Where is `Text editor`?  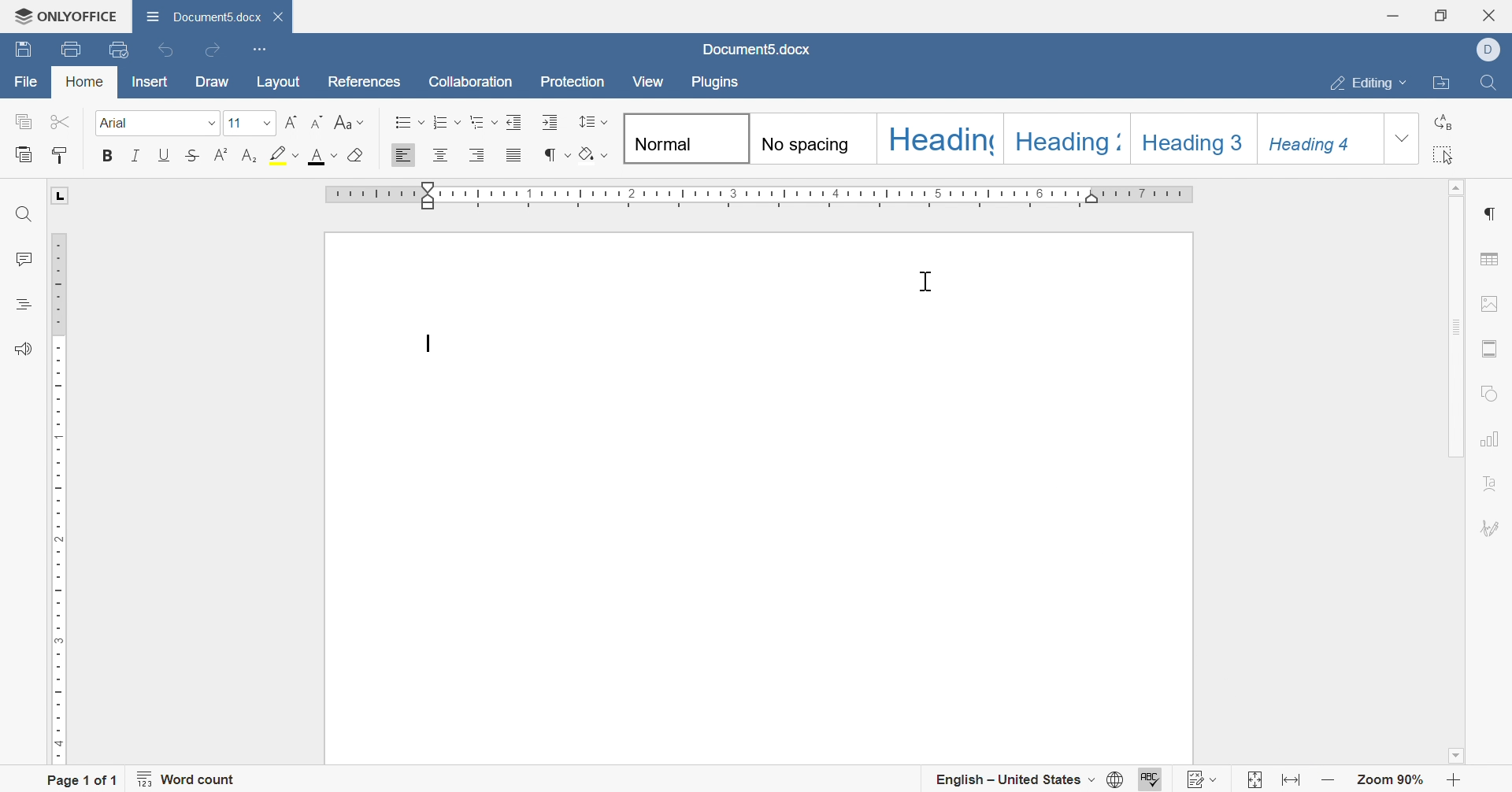 Text editor is located at coordinates (426, 344).